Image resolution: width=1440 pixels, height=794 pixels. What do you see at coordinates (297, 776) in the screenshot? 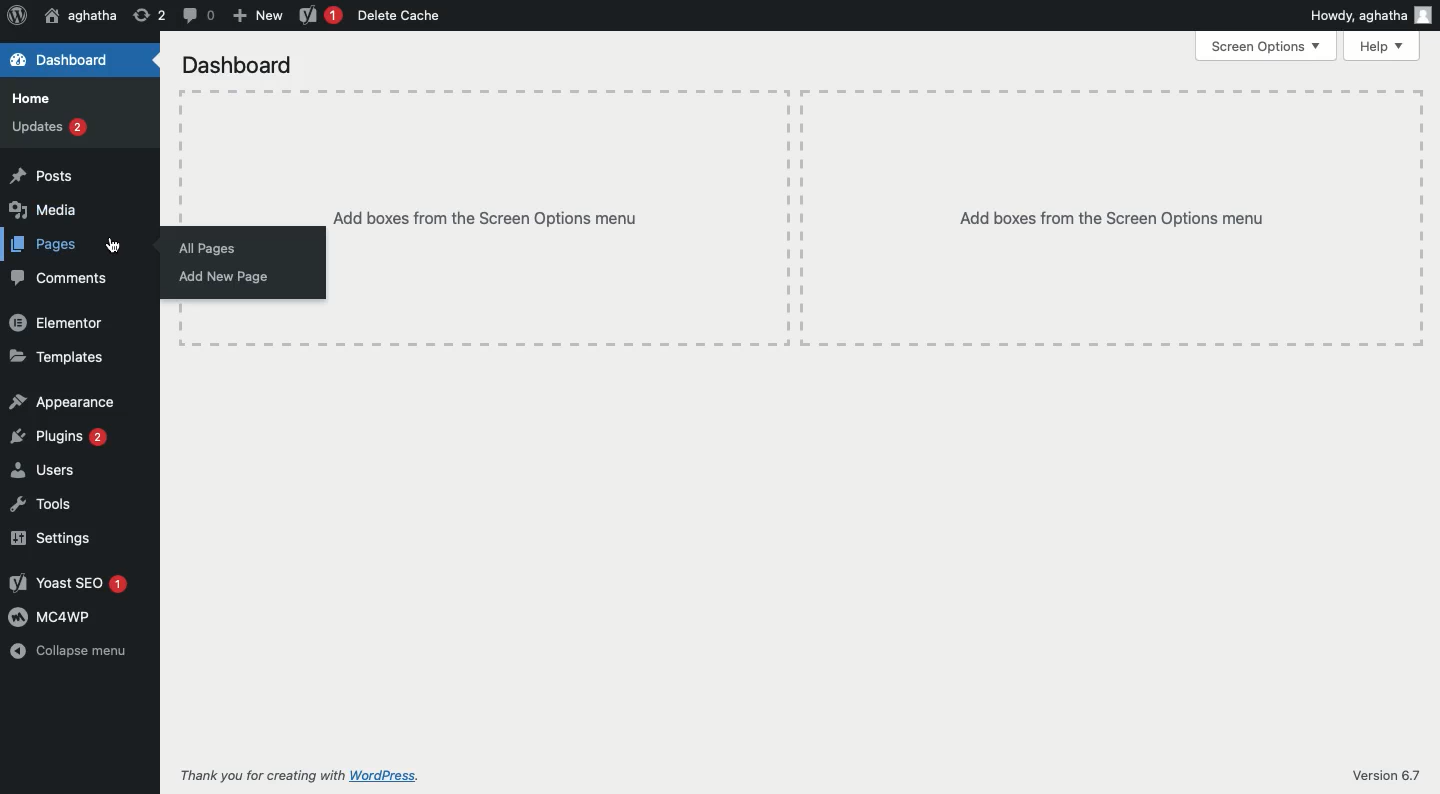
I see `Thank you for creating with WordPress` at bounding box center [297, 776].